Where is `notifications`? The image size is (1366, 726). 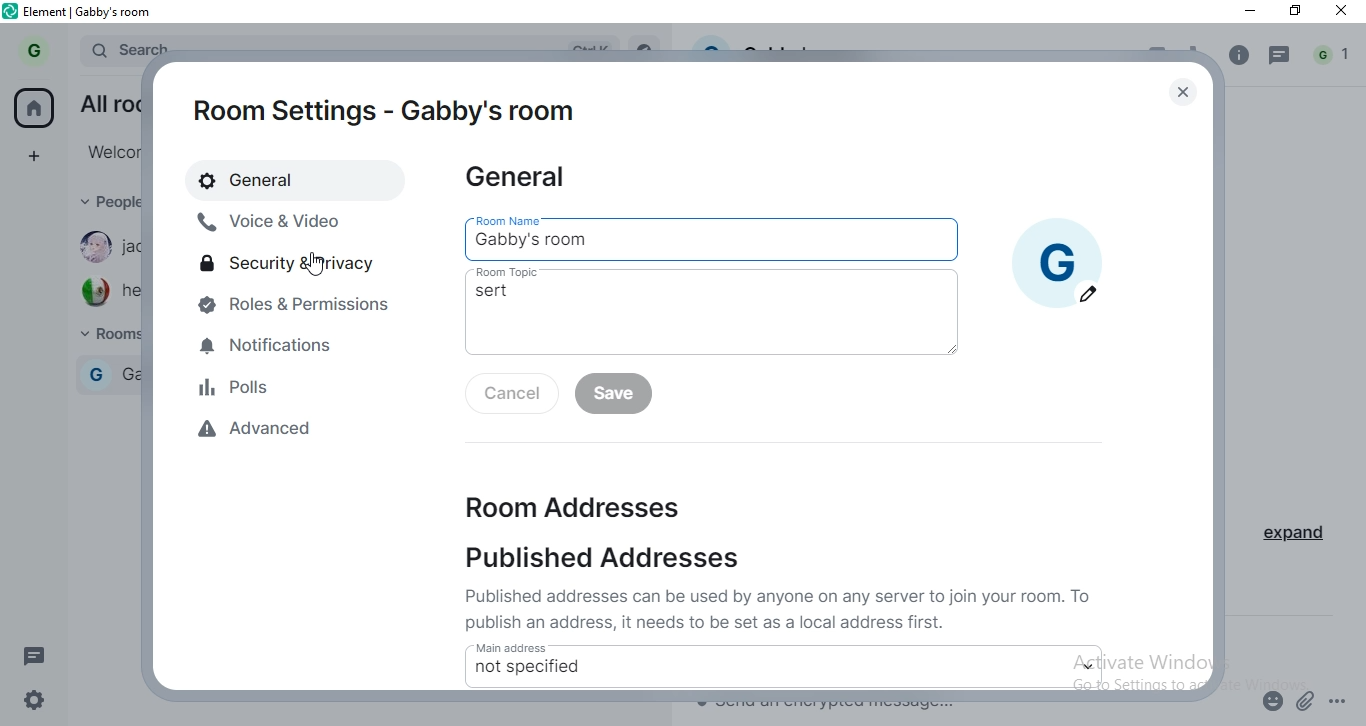
notifications is located at coordinates (290, 351).